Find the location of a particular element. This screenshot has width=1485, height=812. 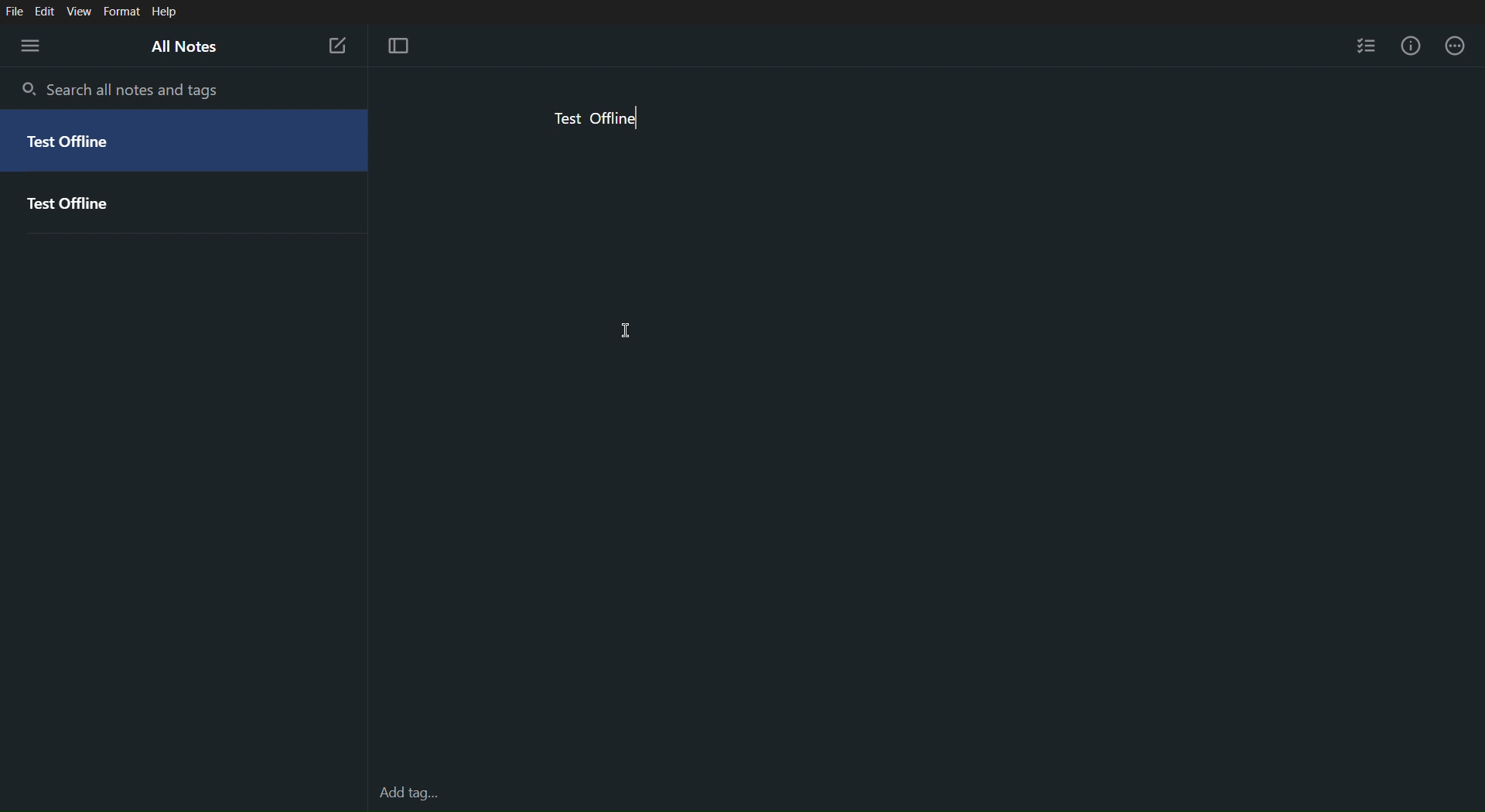

Info is located at coordinates (1411, 48).